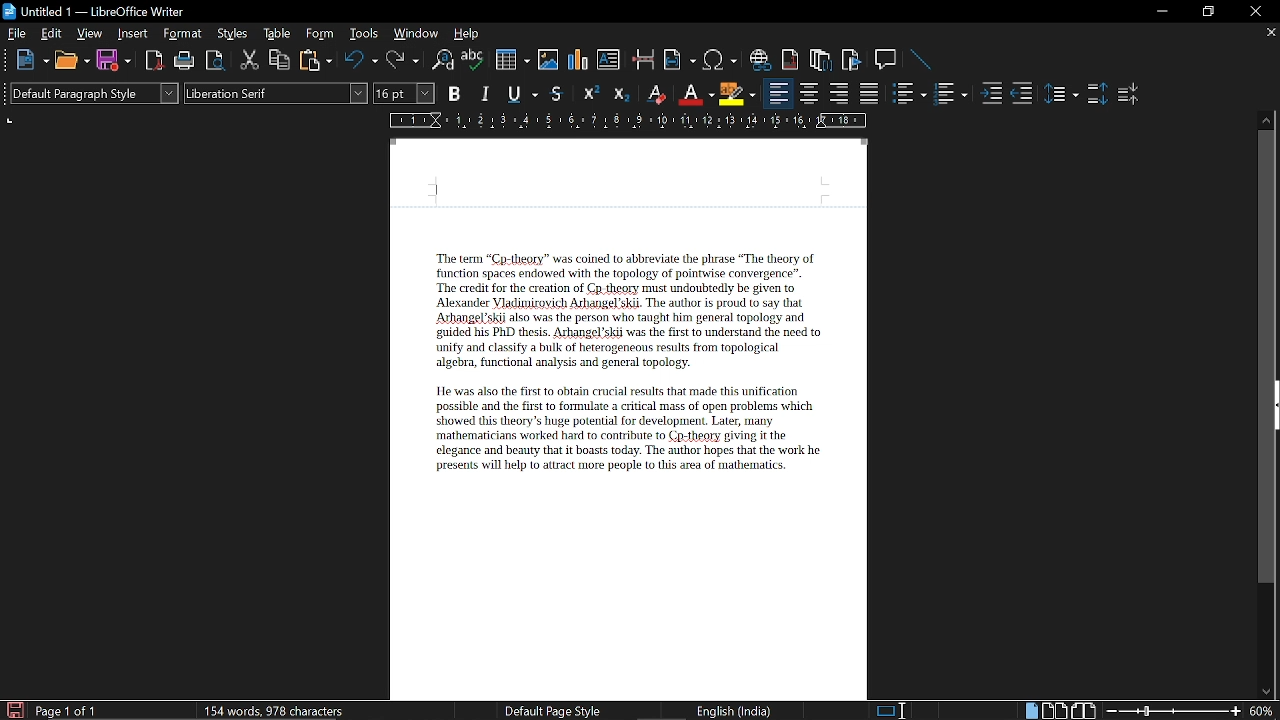  What do you see at coordinates (1276, 405) in the screenshot?
I see `sidebar menu` at bounding box center [1276, 405].